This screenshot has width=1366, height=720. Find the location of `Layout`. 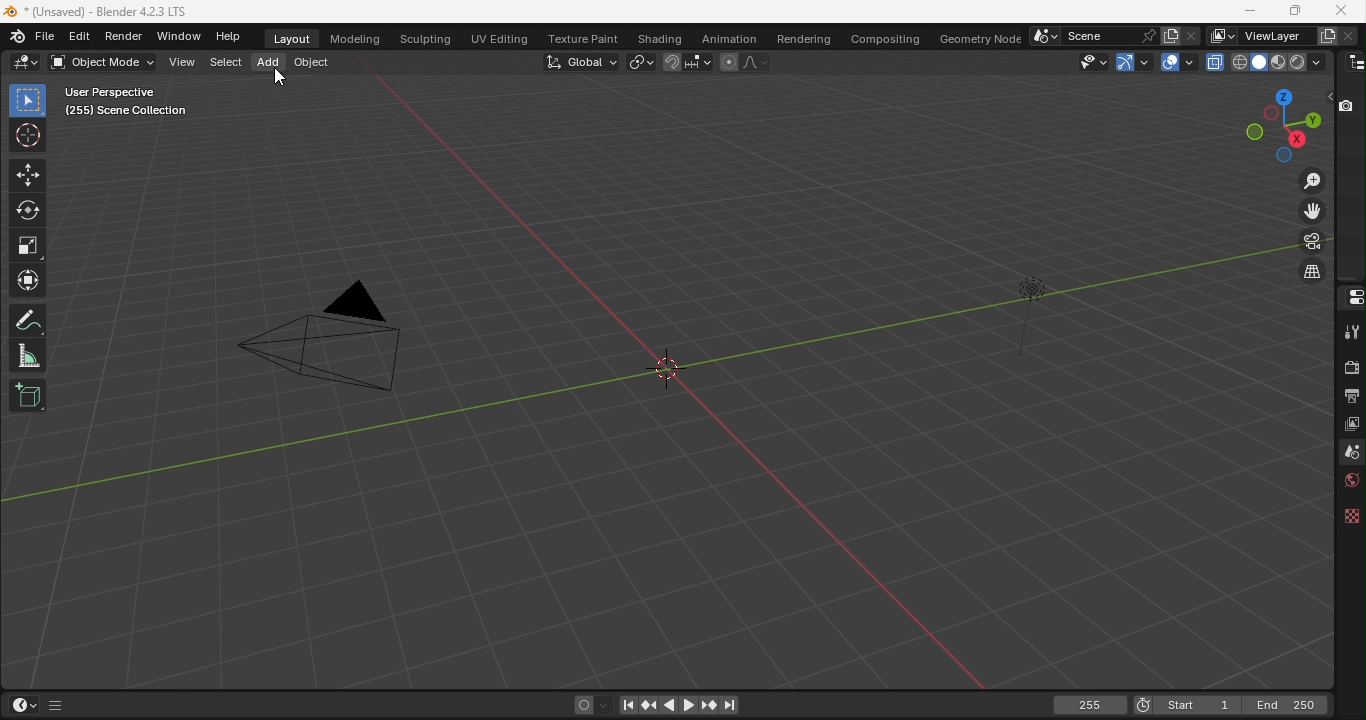

Layout is located at coordinates (292, 39).